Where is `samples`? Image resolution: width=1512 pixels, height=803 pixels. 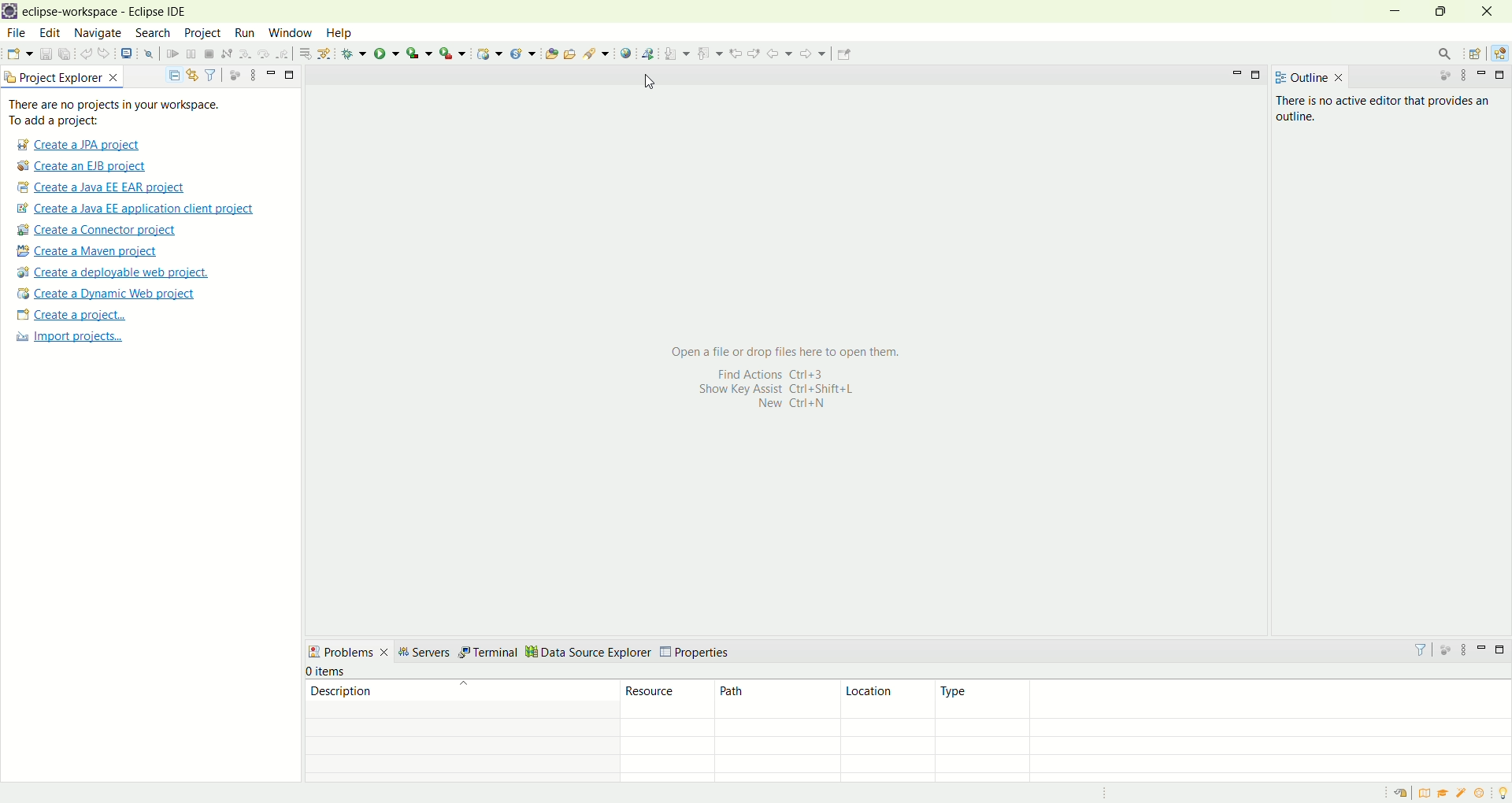
samples is located at coordinates (1463, 793).